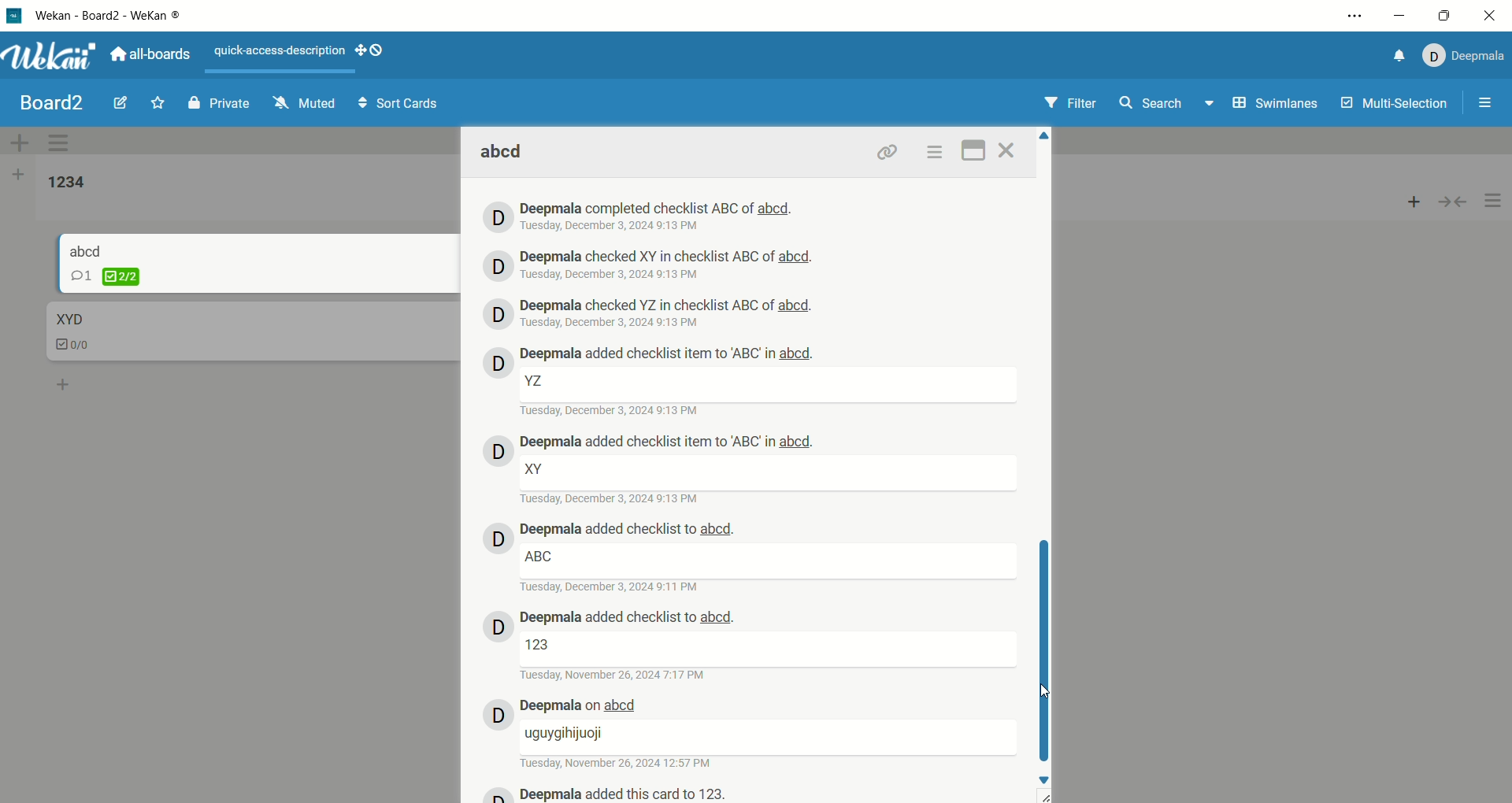 The image size is (1512, 803). Describe the element at coordinates (20, 142) in the screenshot. I see `add swimlane` at that location.